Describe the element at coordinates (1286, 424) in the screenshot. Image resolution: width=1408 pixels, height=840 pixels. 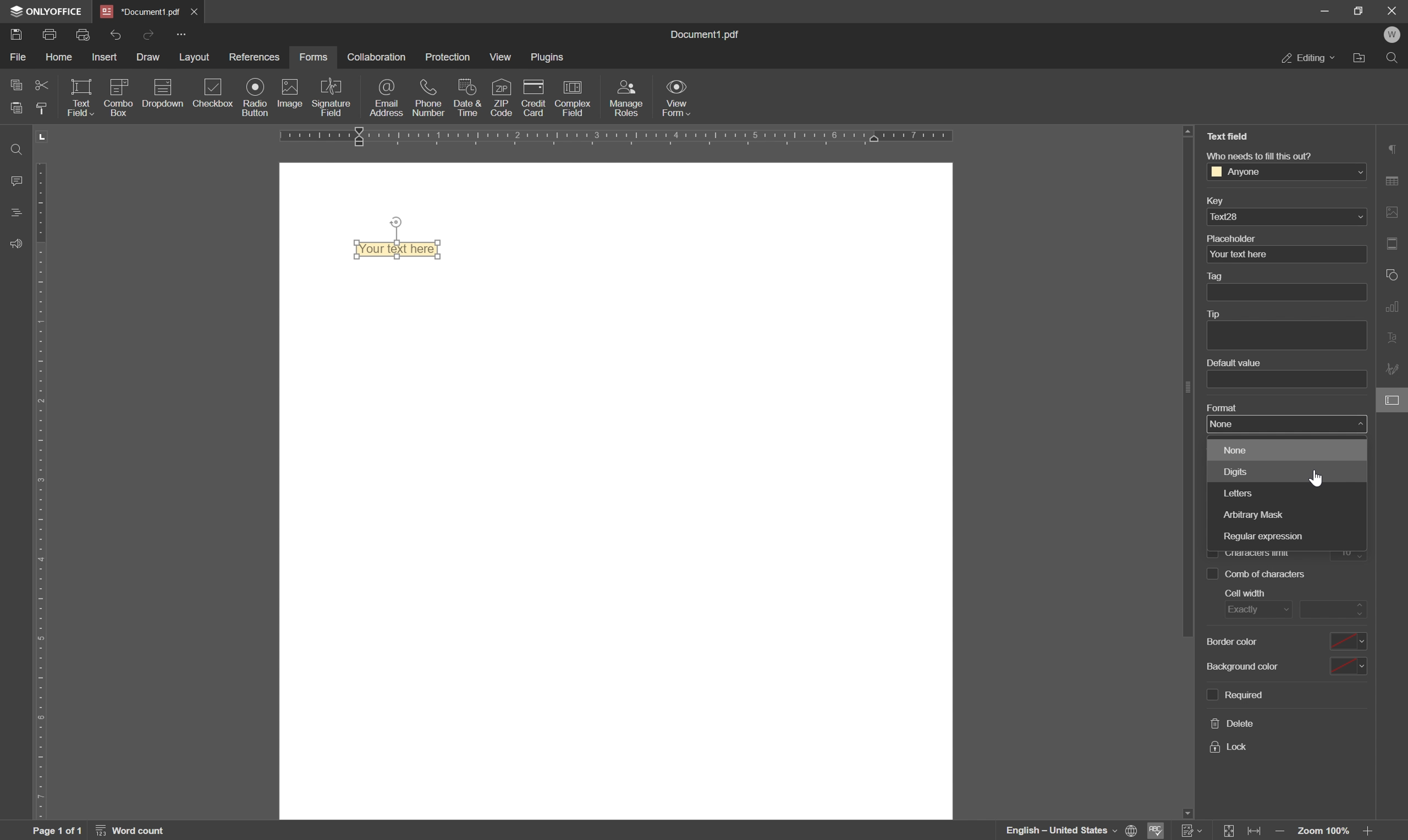
I see `none` at that location.